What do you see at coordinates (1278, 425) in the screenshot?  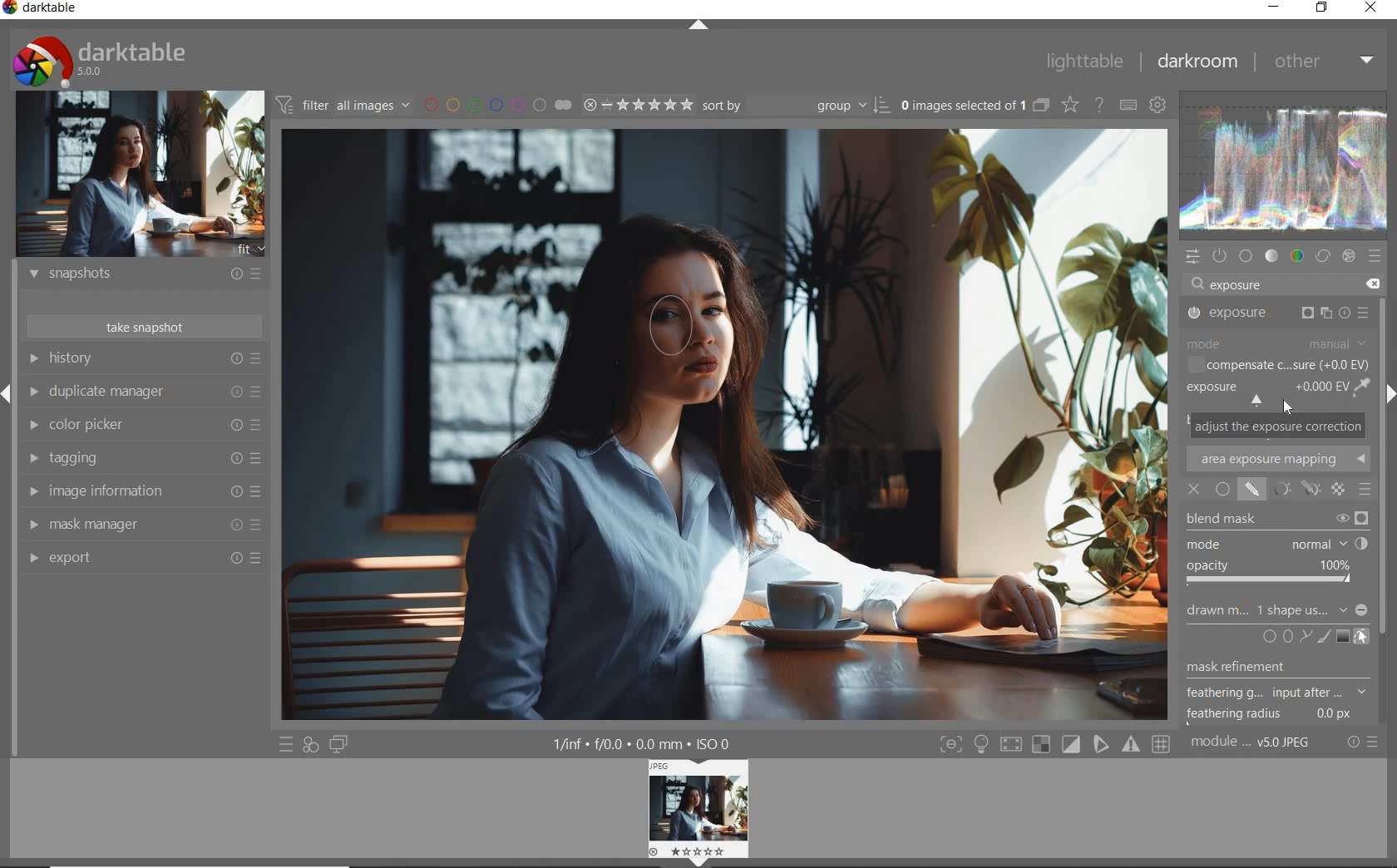 I see `ADJUST THE EXPOSURE CORRECTION` at bounding box center [1278, 425].